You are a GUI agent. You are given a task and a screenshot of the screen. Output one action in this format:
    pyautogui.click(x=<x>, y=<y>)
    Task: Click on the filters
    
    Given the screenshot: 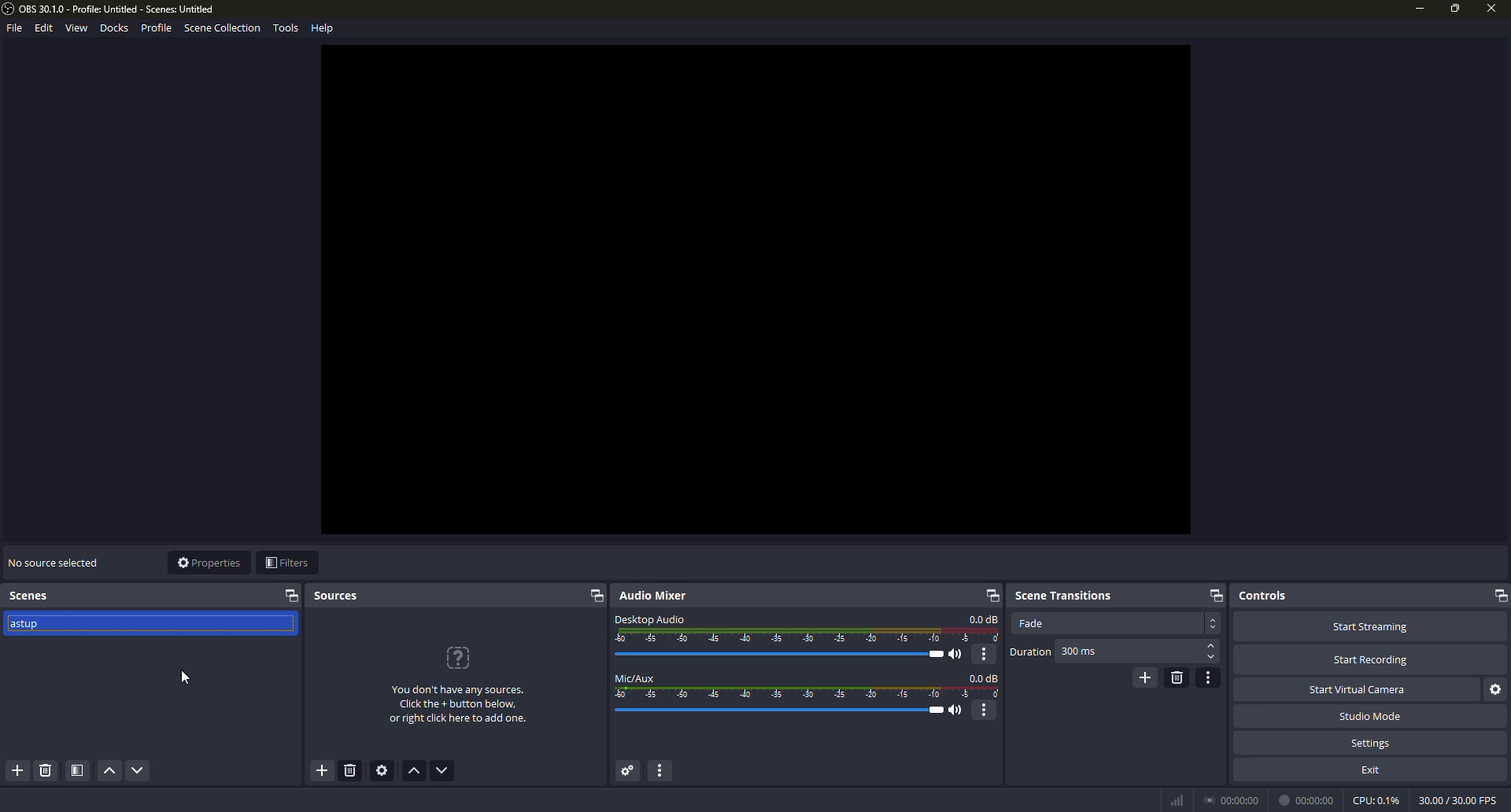 What is the action you would take?
    pyautogui.click(x=286, y=563)
    